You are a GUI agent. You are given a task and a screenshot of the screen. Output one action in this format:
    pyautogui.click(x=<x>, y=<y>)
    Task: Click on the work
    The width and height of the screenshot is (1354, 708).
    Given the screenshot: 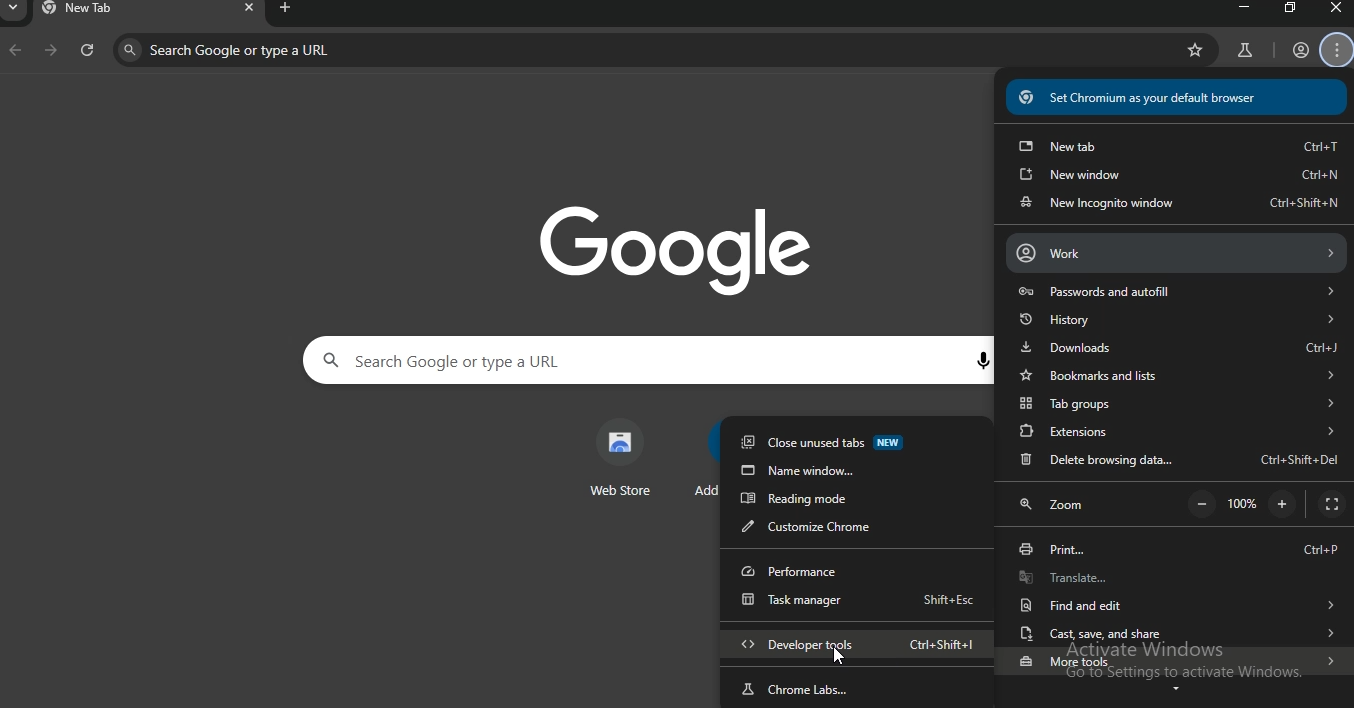 What is the action you would take?
    pyautogui.click(x=1175, y=252)
    